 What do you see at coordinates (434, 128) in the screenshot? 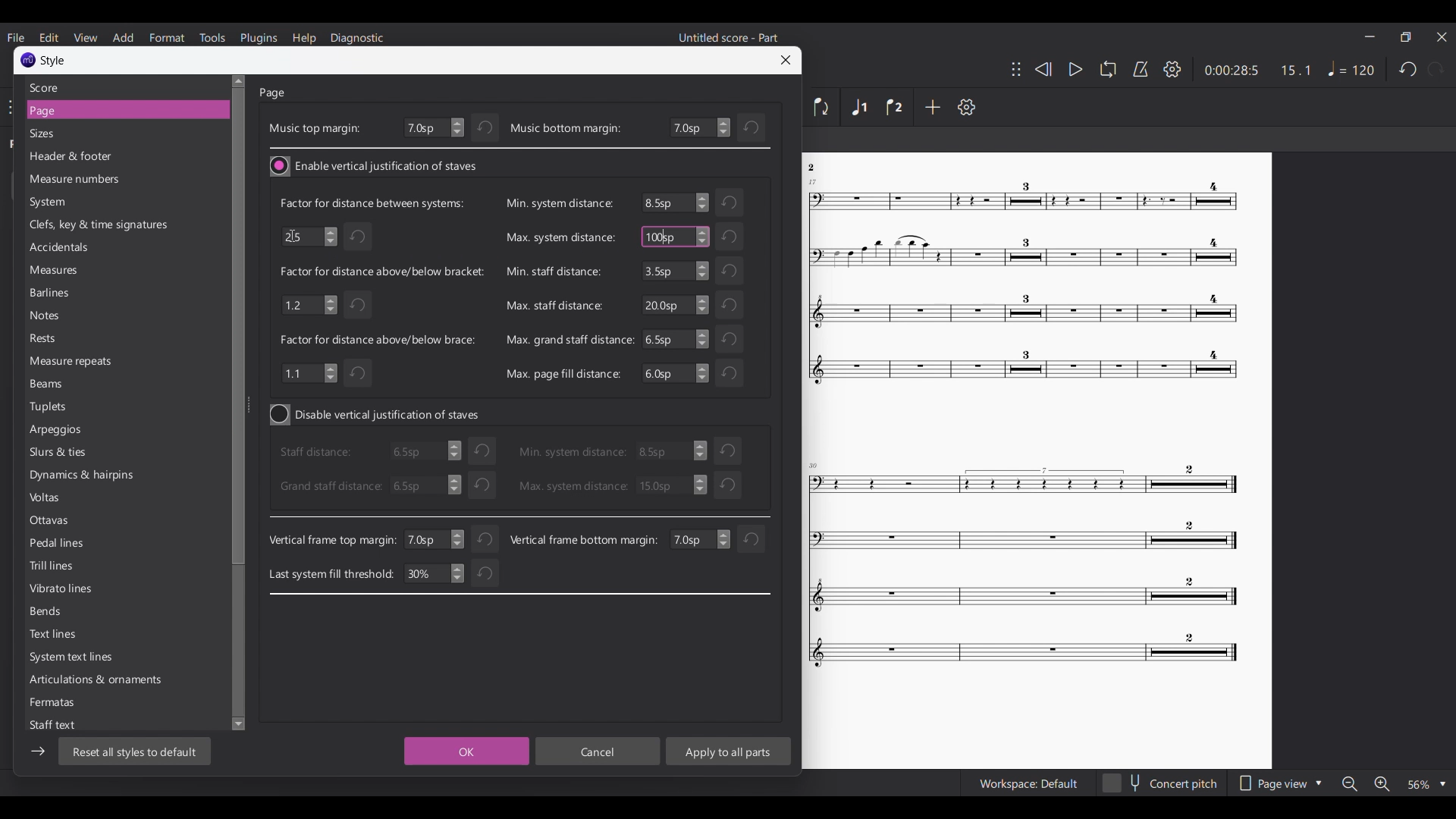
I see `Top margin settings` at bounding box center [434, 128].